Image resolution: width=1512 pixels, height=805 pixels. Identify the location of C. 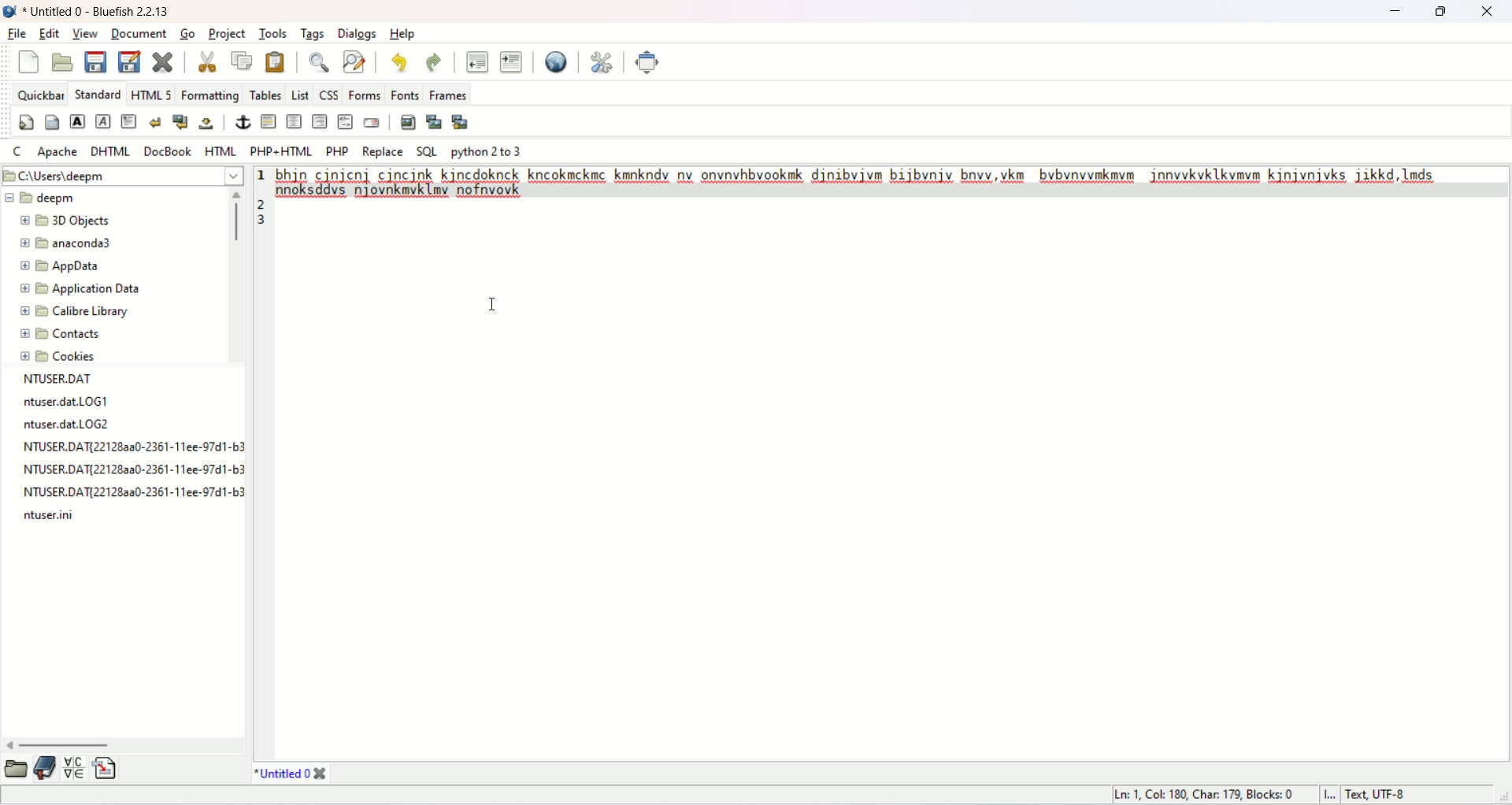
(22, 154).